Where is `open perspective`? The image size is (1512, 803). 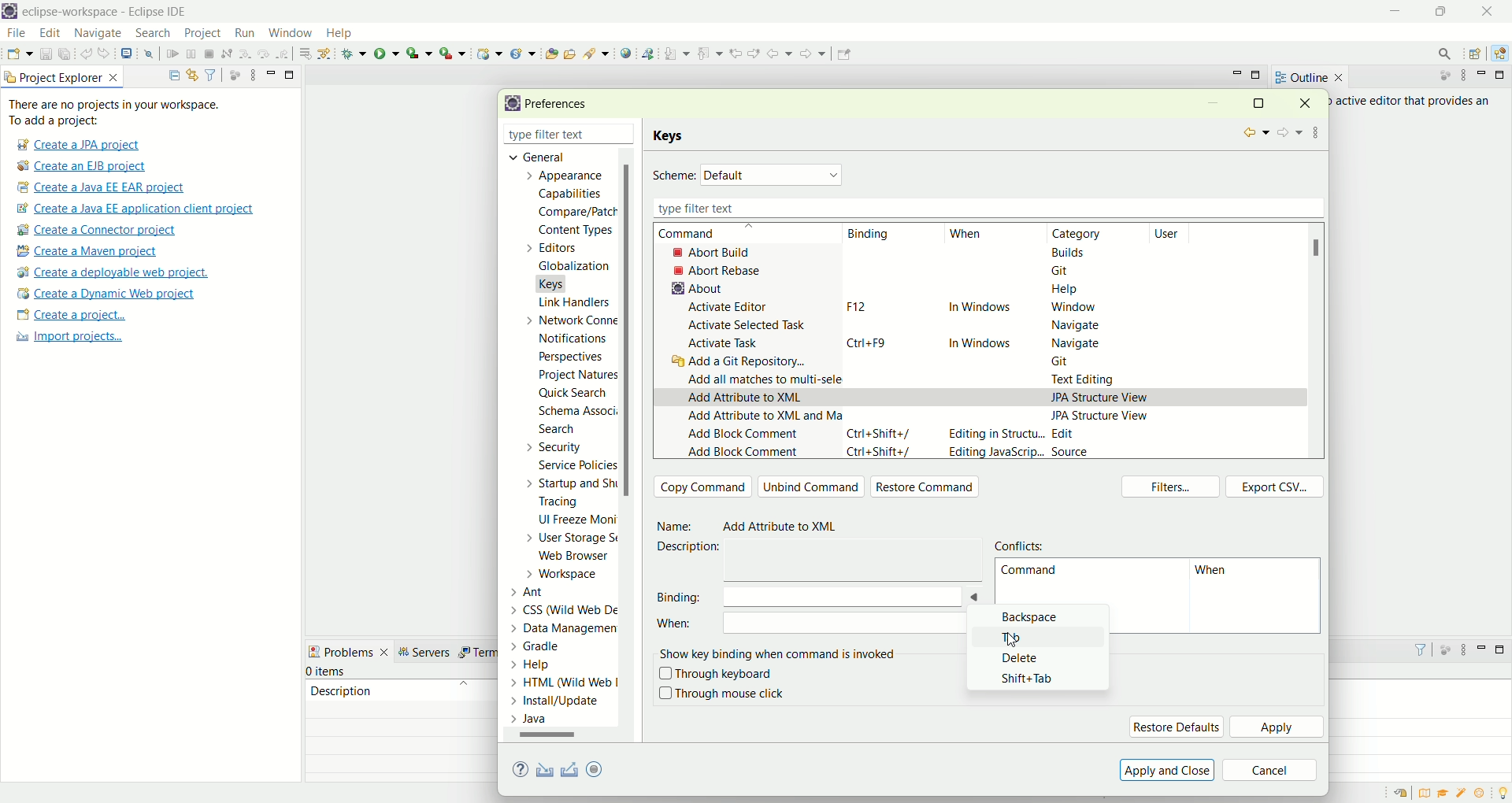
open perspective is located at coordinates (1477, 55).